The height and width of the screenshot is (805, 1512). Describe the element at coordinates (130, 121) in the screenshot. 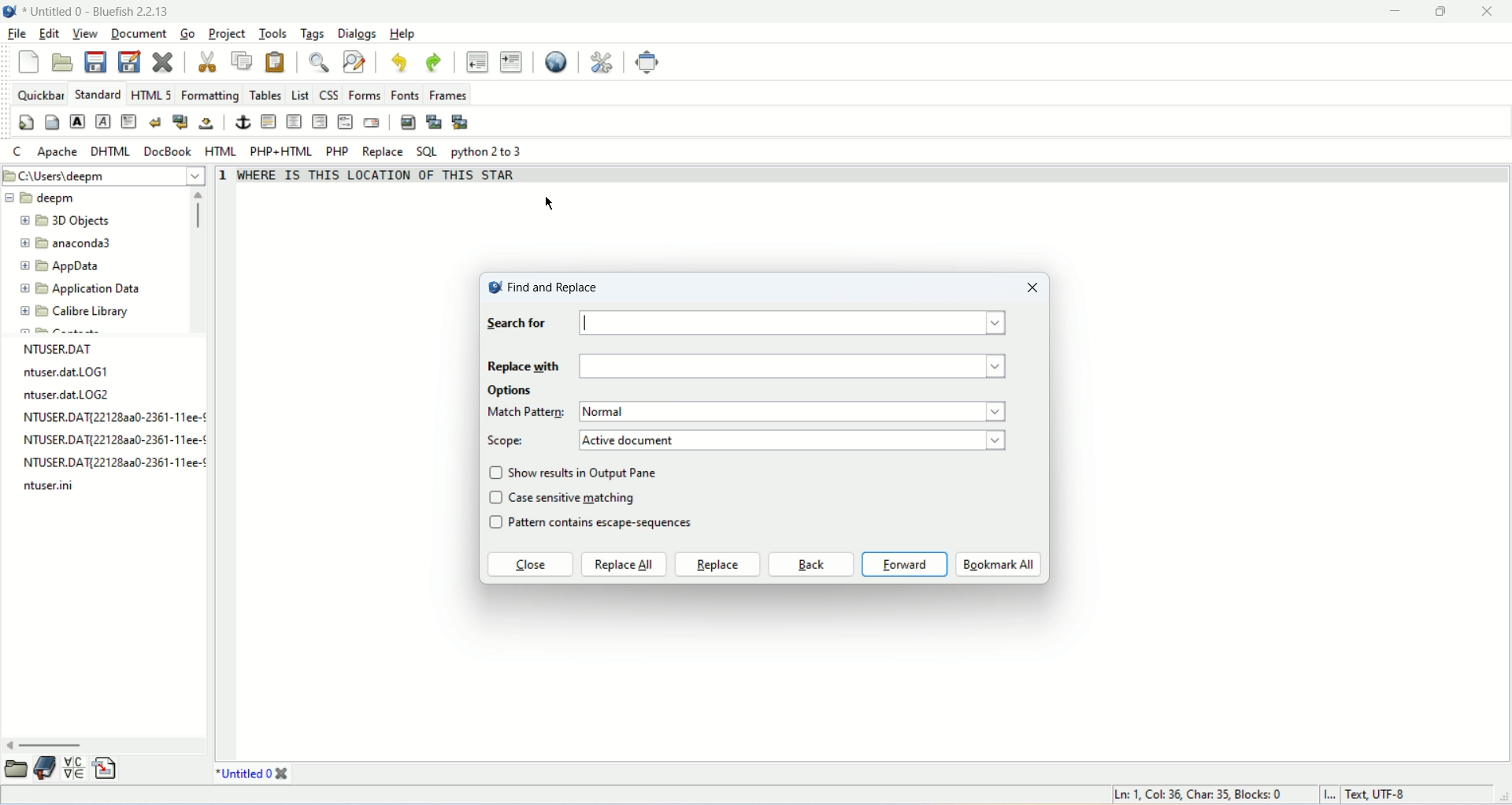

I see `paragraph` at that location.